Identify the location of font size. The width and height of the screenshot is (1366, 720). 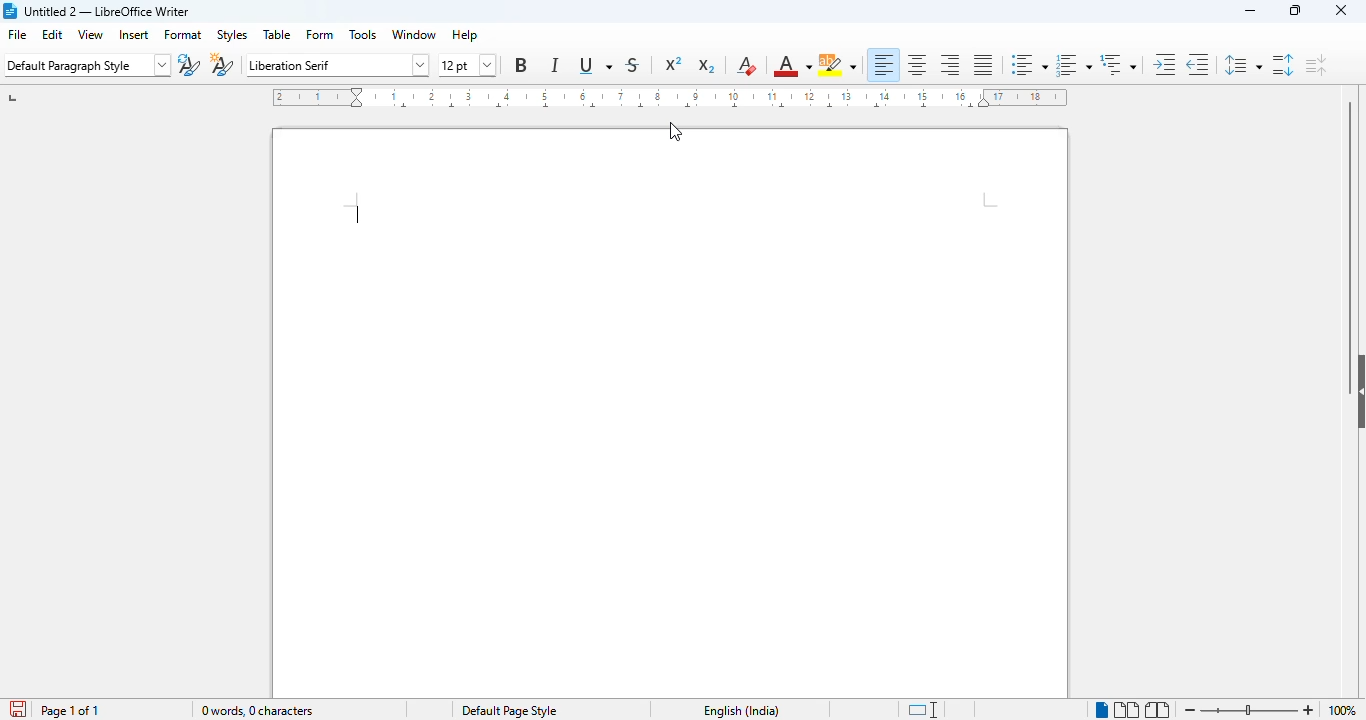
(468, 66).